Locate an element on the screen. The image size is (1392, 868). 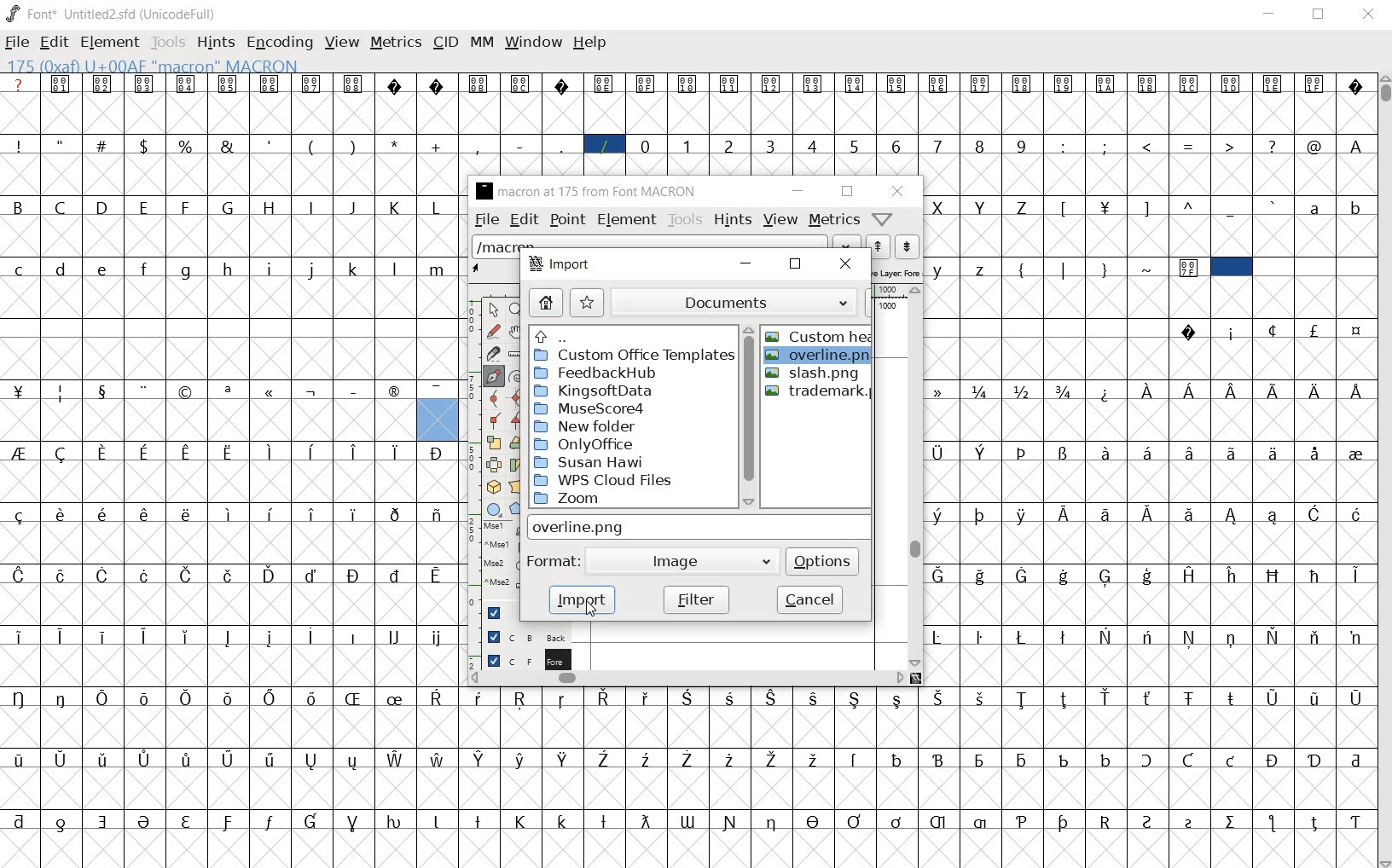
trademark is located at coordinates (819, 391).